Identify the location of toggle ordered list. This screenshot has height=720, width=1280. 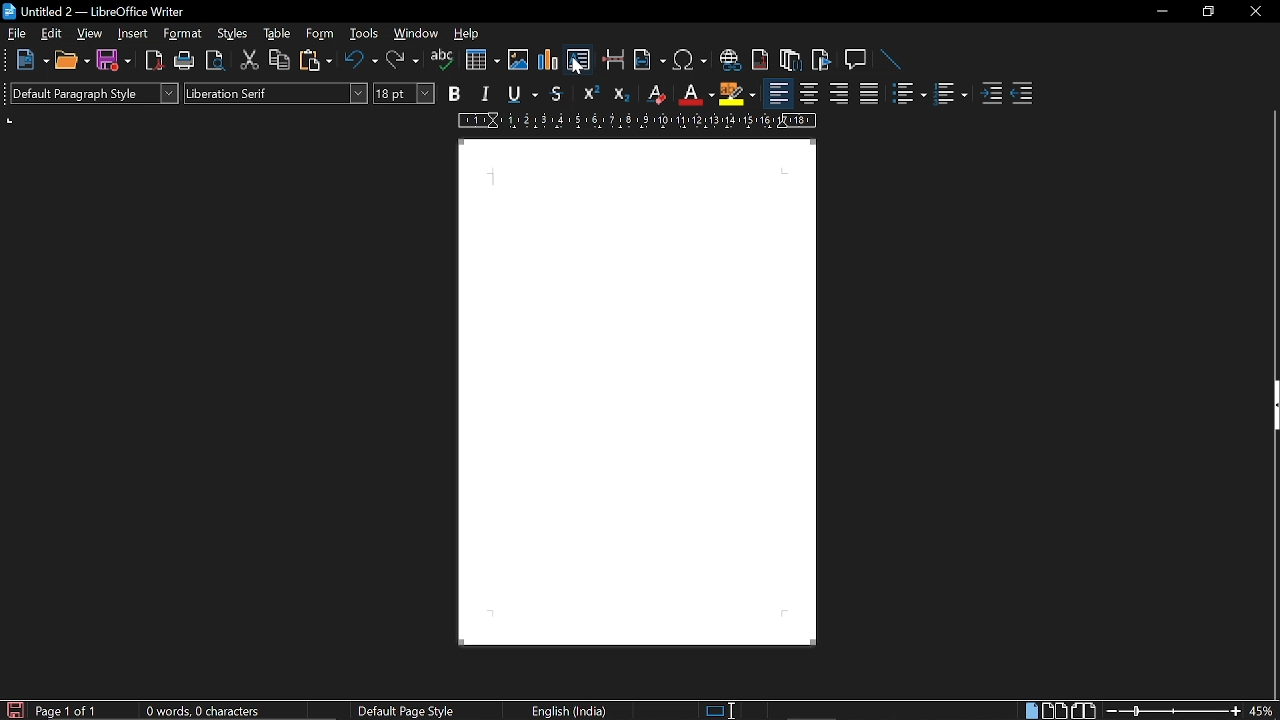
(950, 95).